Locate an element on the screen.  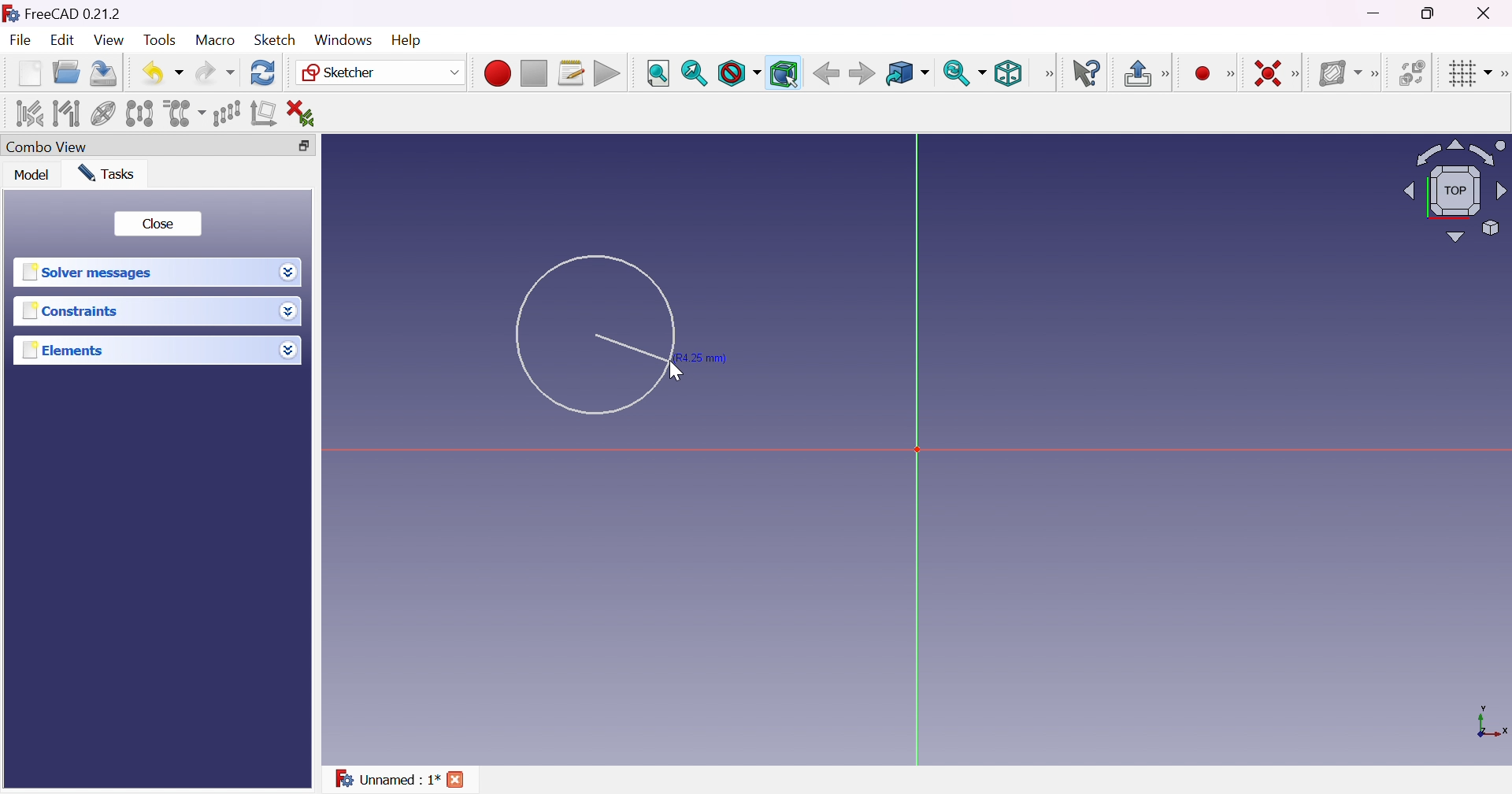
logo is located at coordinates (10, 12).